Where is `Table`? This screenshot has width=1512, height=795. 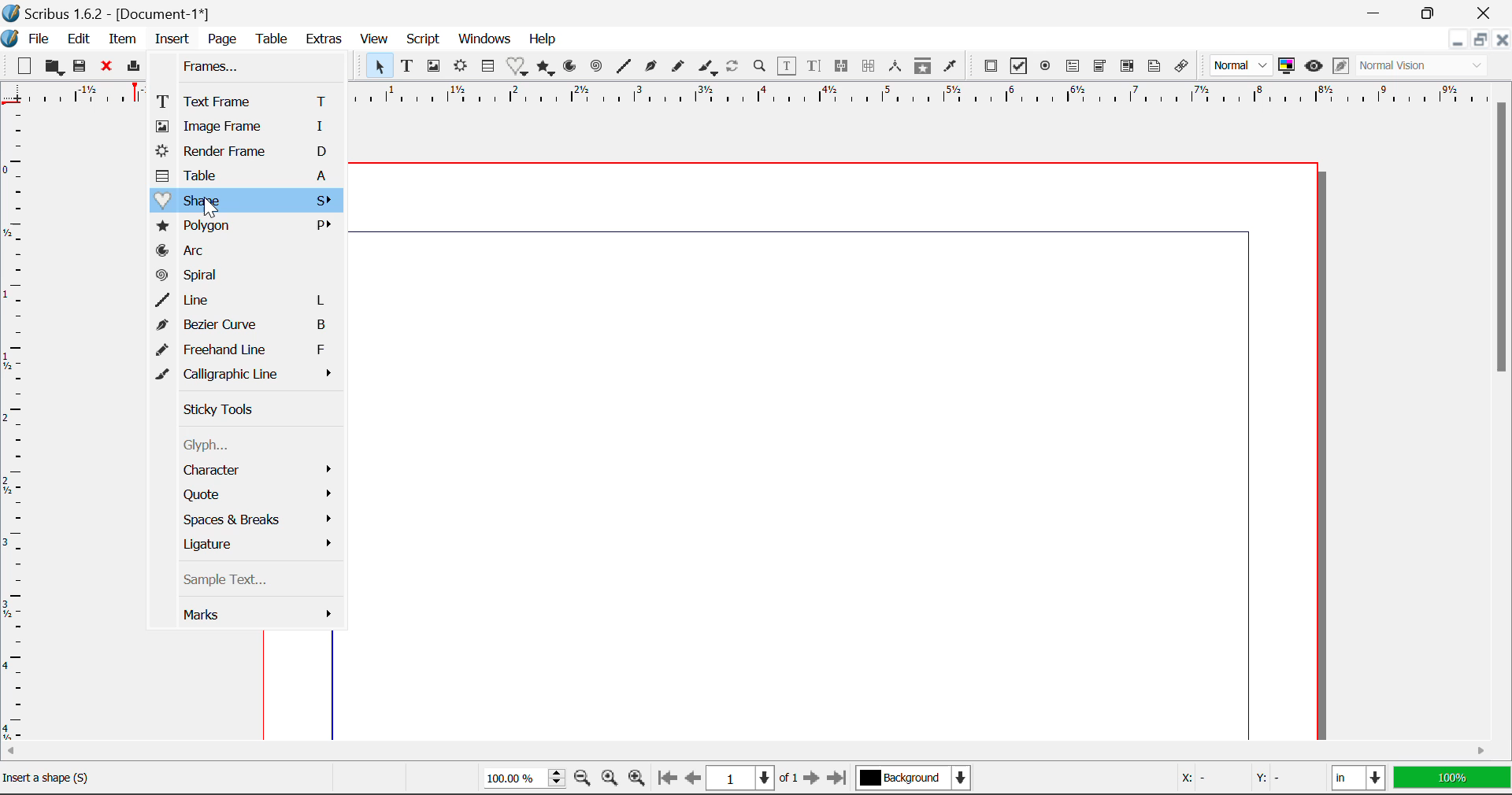
Table is located at coordinates (245, 176).